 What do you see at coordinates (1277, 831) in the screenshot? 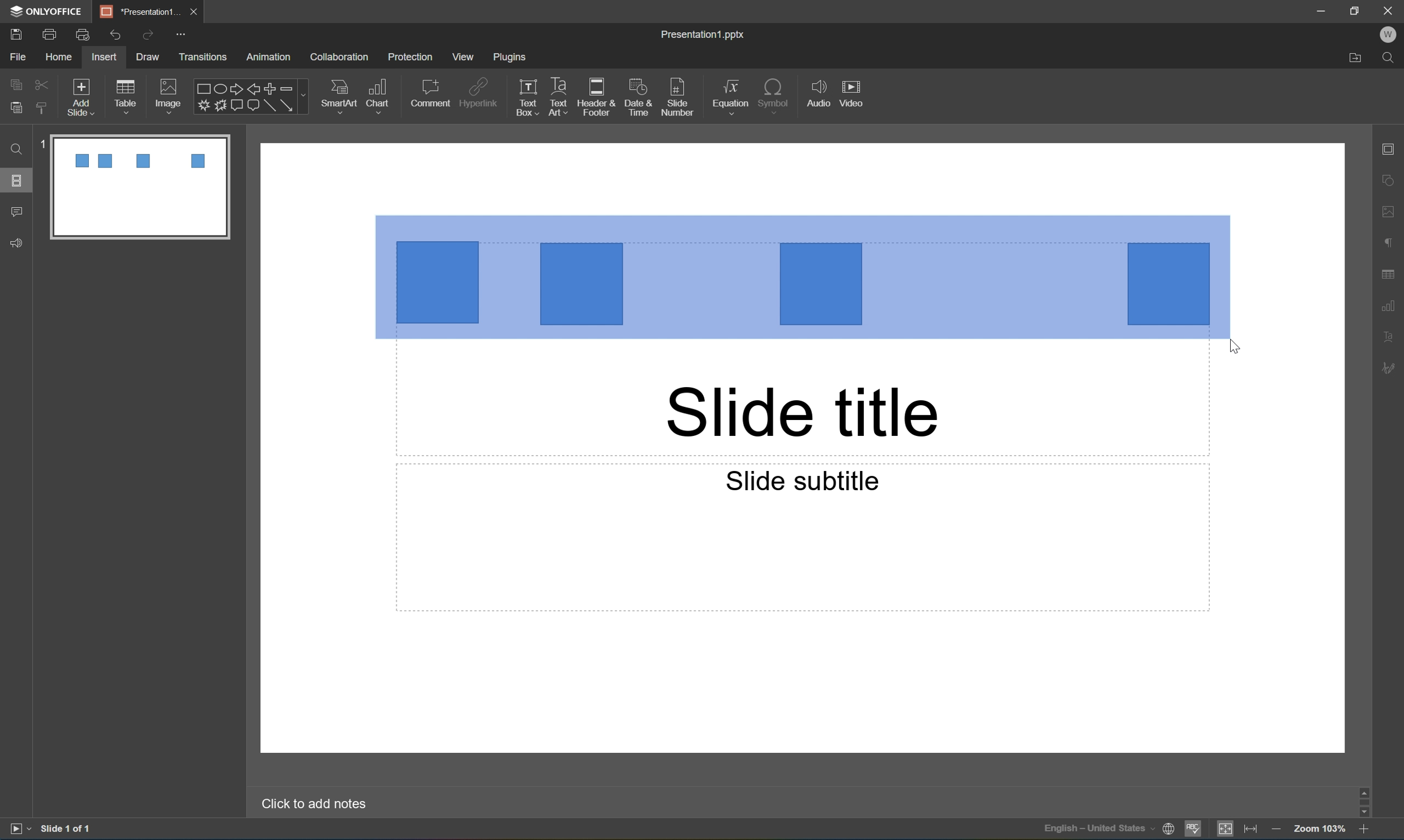
I see `zoom out` at bounding box center [1277, 831].